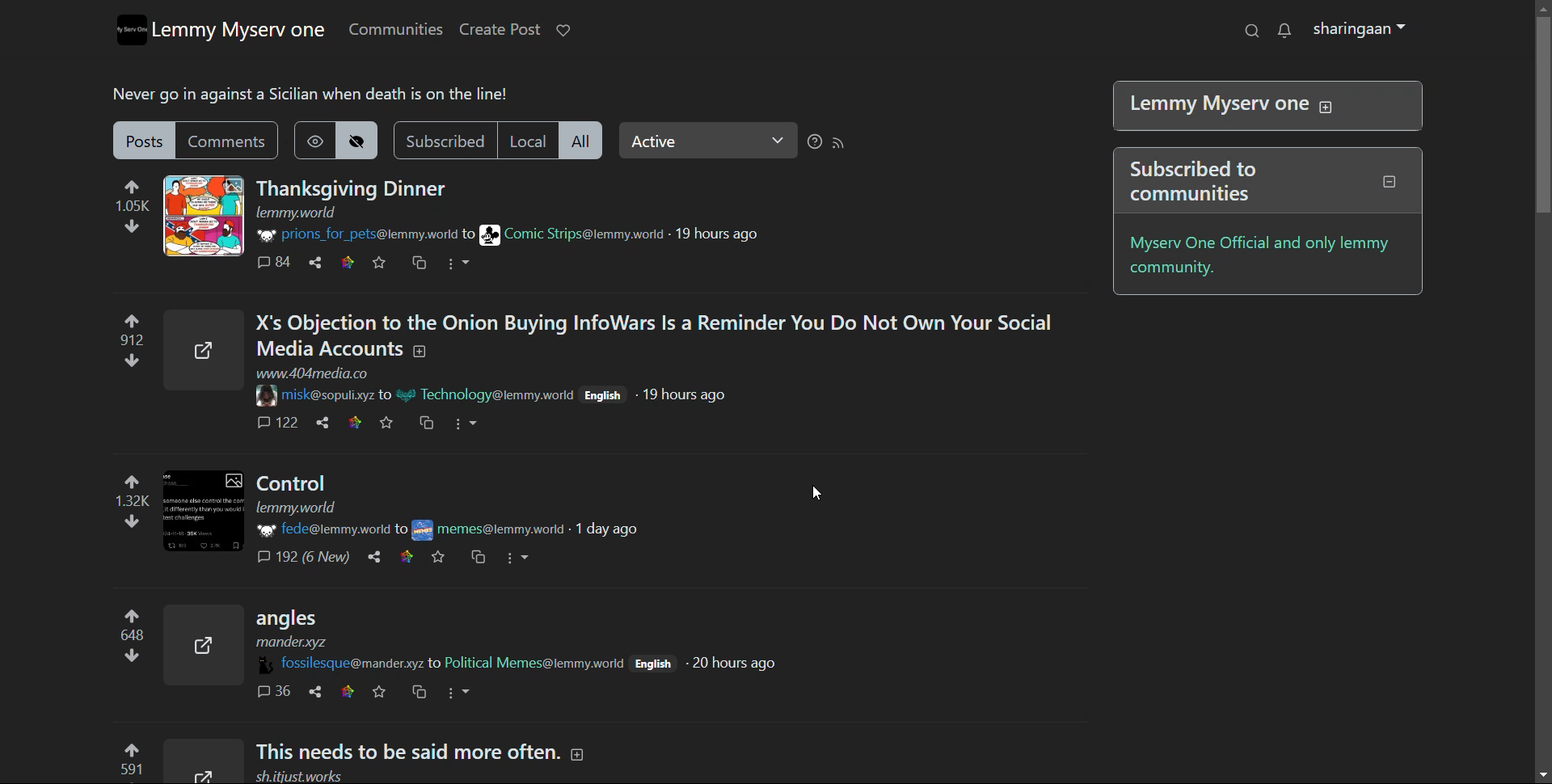 The width and height of the screenshot is (1552, 784). What do you see at coordinates (459, 690) in the screenshot?
I see `more` at bounding box center [459, 690].